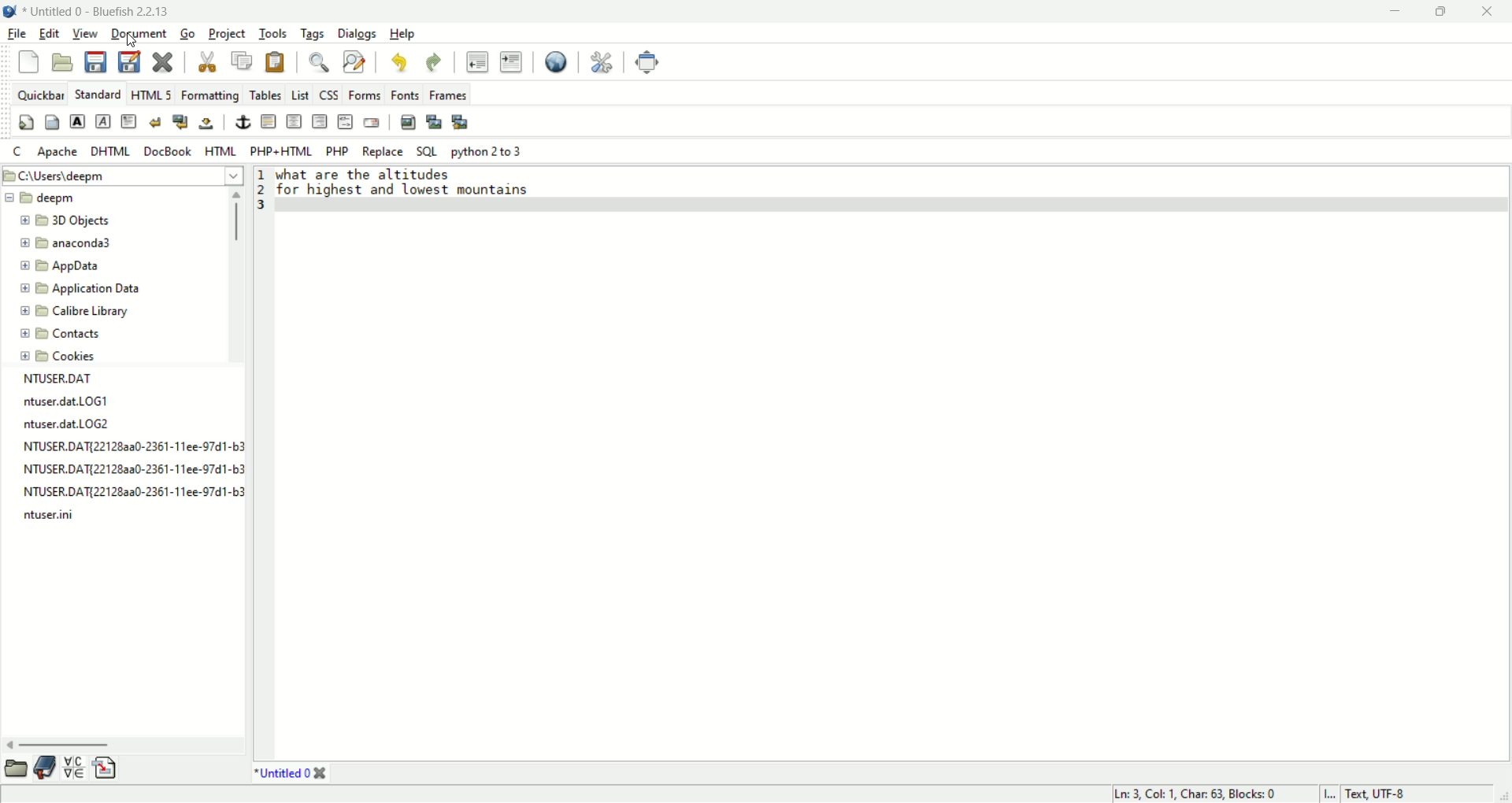  Describe the element at coordinates (71, 244) in the screenshot. I see `anaconda` at that location.